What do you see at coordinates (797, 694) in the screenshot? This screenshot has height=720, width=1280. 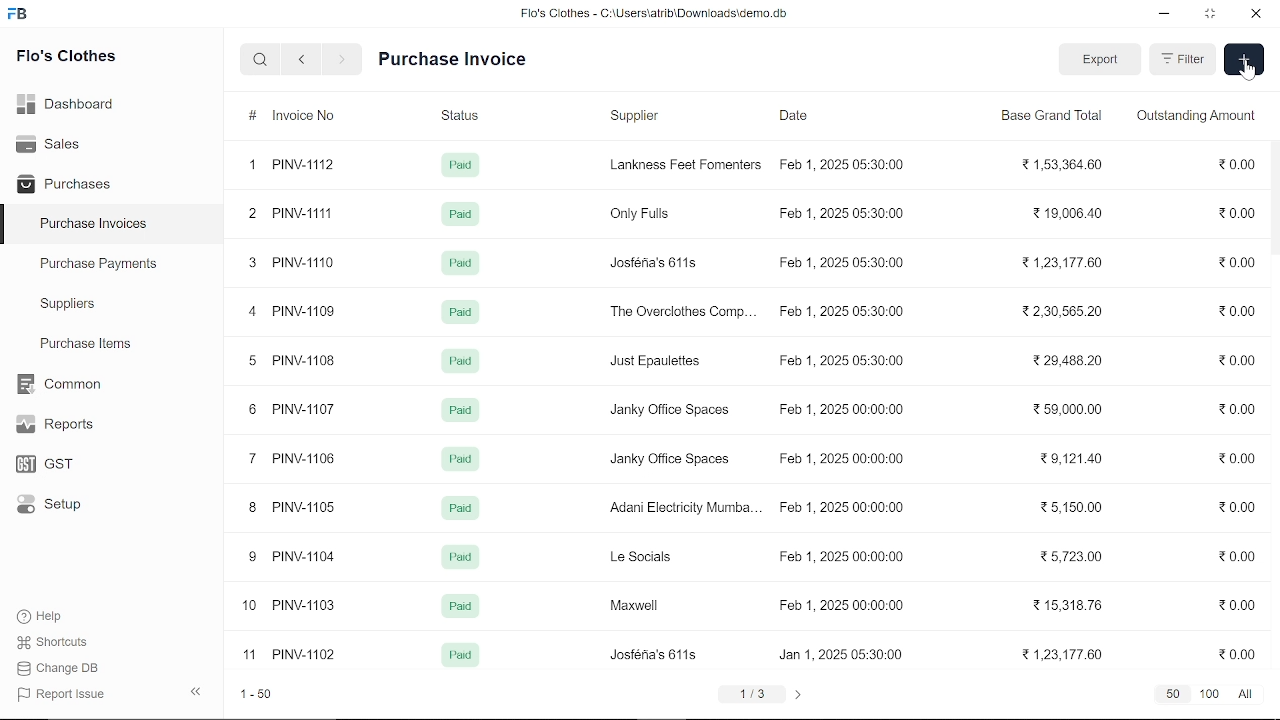 I see `next page` at bounding box center [797, 694].